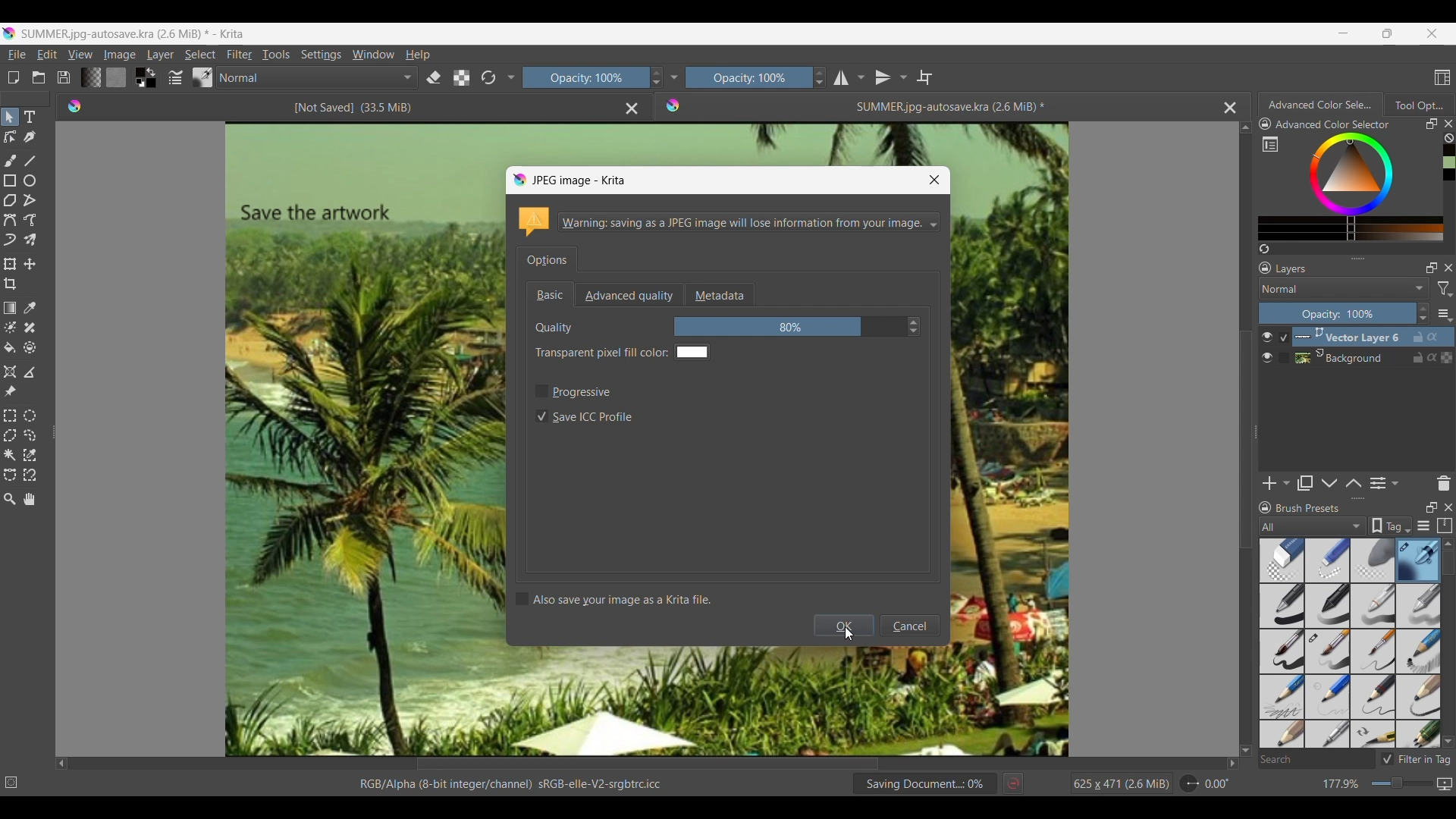 The height and width of the screenshot is (819, 1456). I want to click on Image/Artwork space, so click(728, 145).